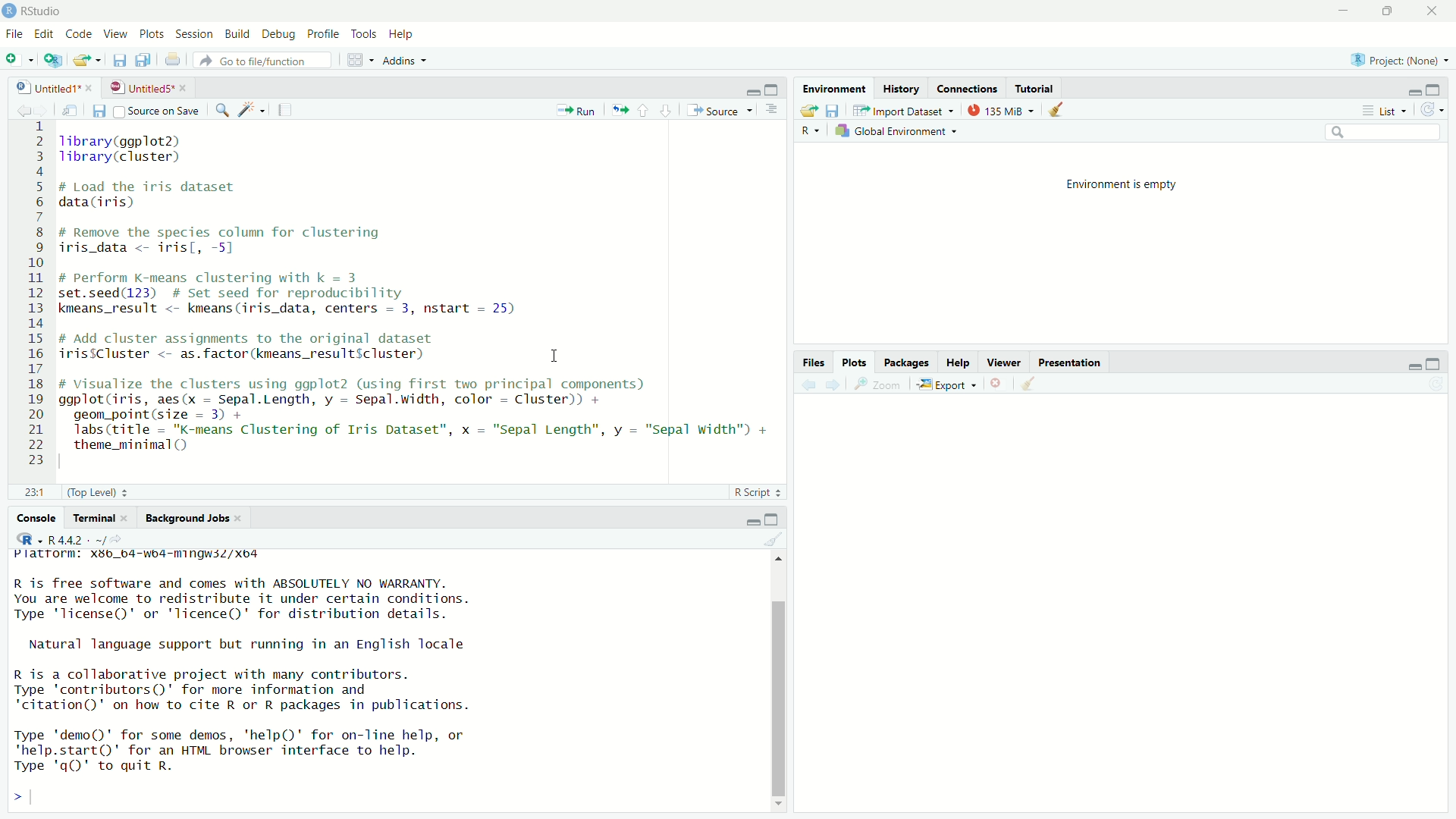 The height and width of the screenshot is (819, 1456). I want to click on close, so click(1433, 12).